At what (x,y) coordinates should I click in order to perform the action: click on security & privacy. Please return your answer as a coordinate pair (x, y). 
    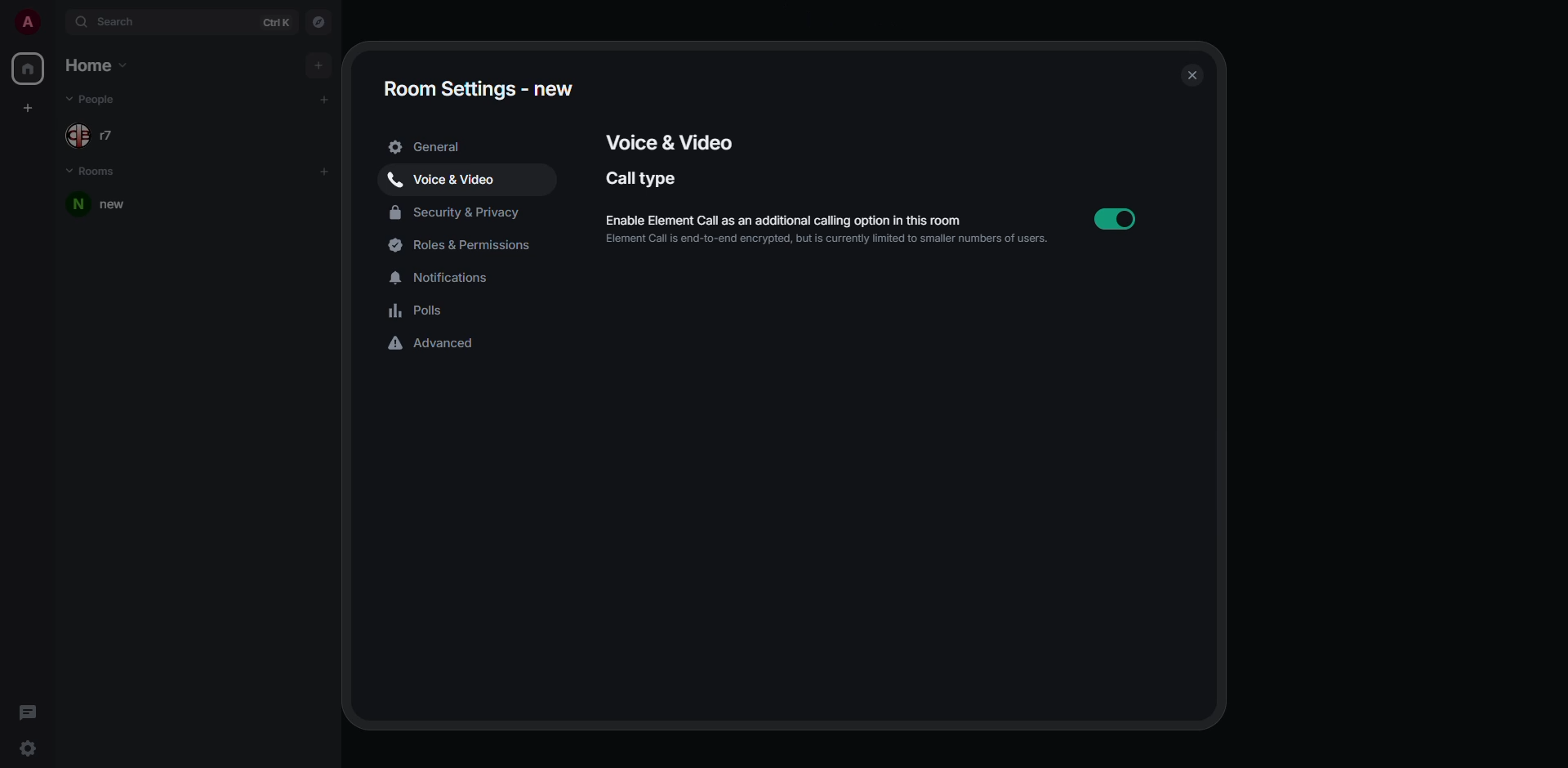
    Looking at the image, I should click on (457, 210).